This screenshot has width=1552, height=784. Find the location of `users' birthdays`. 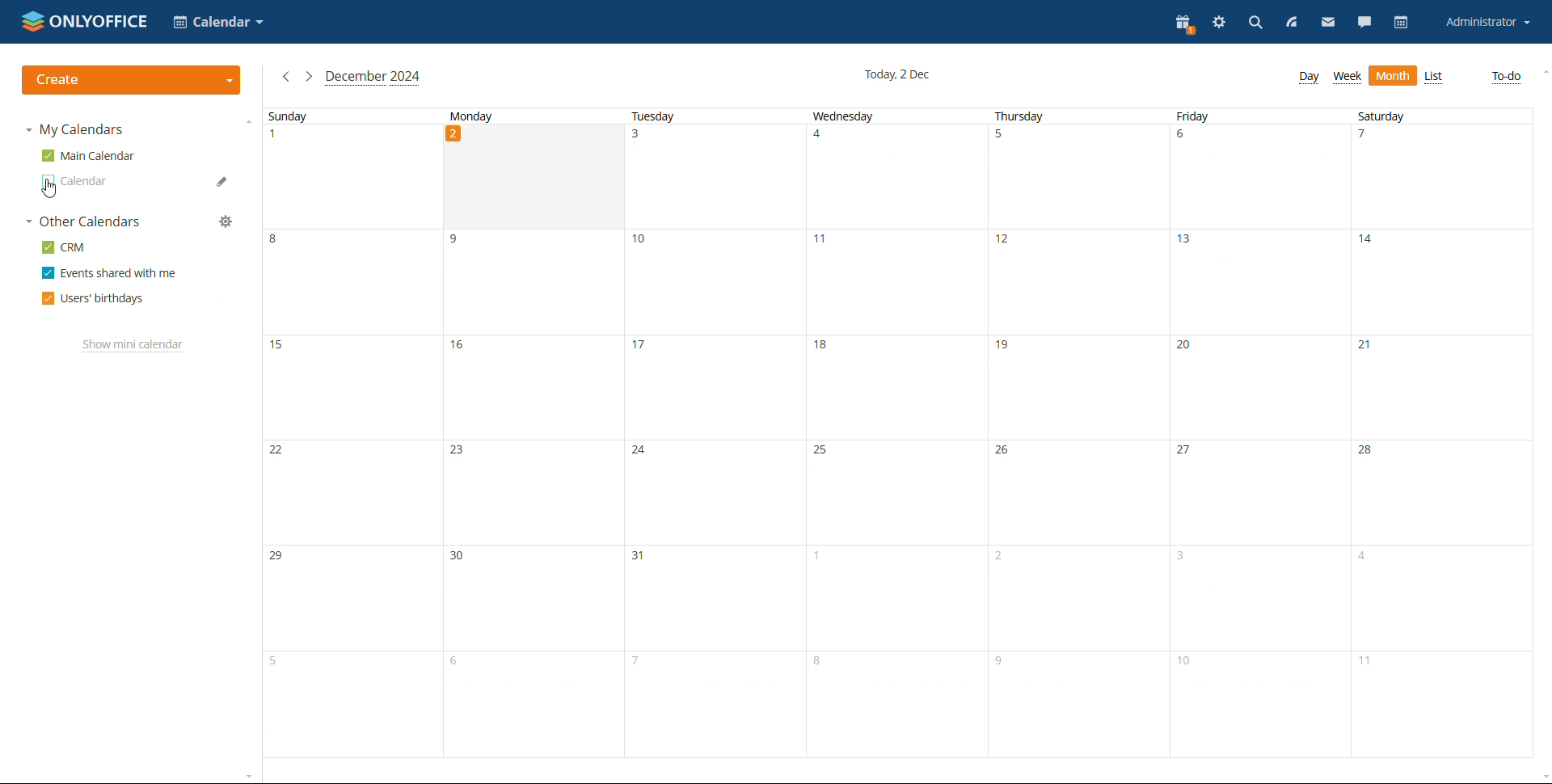

users' birthdays is located at coordinates (95, 297).